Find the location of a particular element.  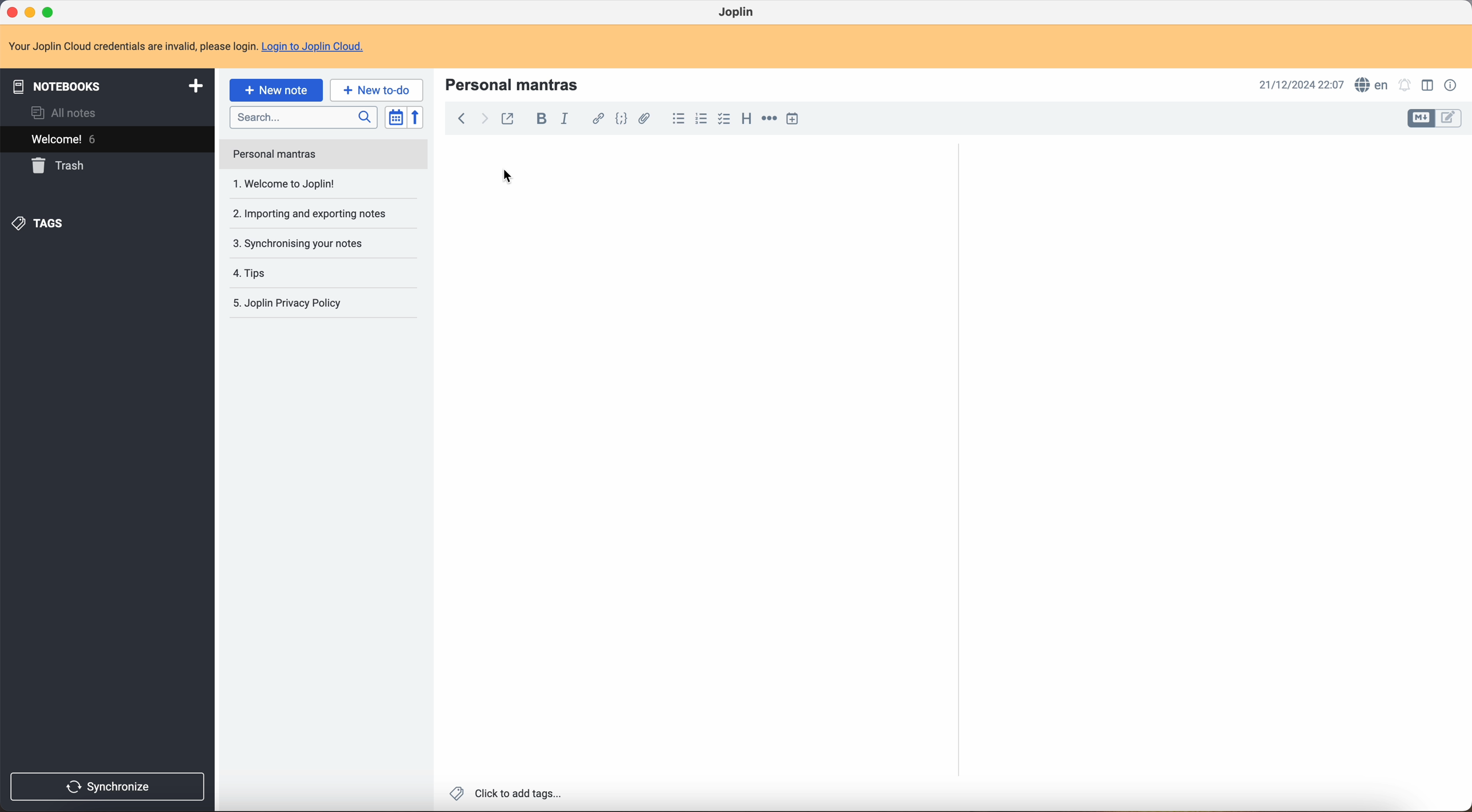

note is located at coordinates (187, 47).